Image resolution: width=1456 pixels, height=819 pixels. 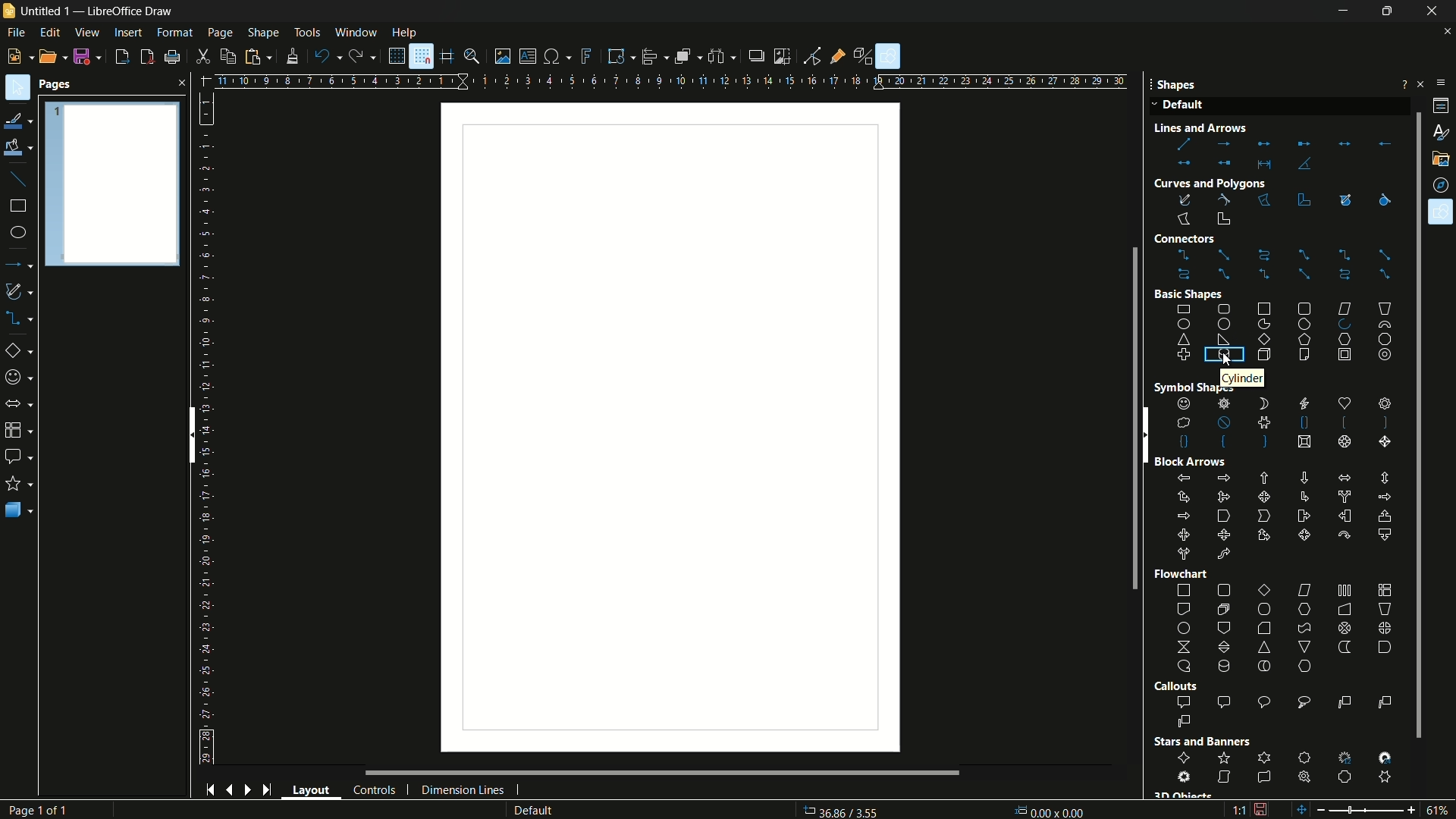 What do you see at coordinates (634, 773) in the screenshot?
I see `scroll bar` at bounding box center [634, 773].